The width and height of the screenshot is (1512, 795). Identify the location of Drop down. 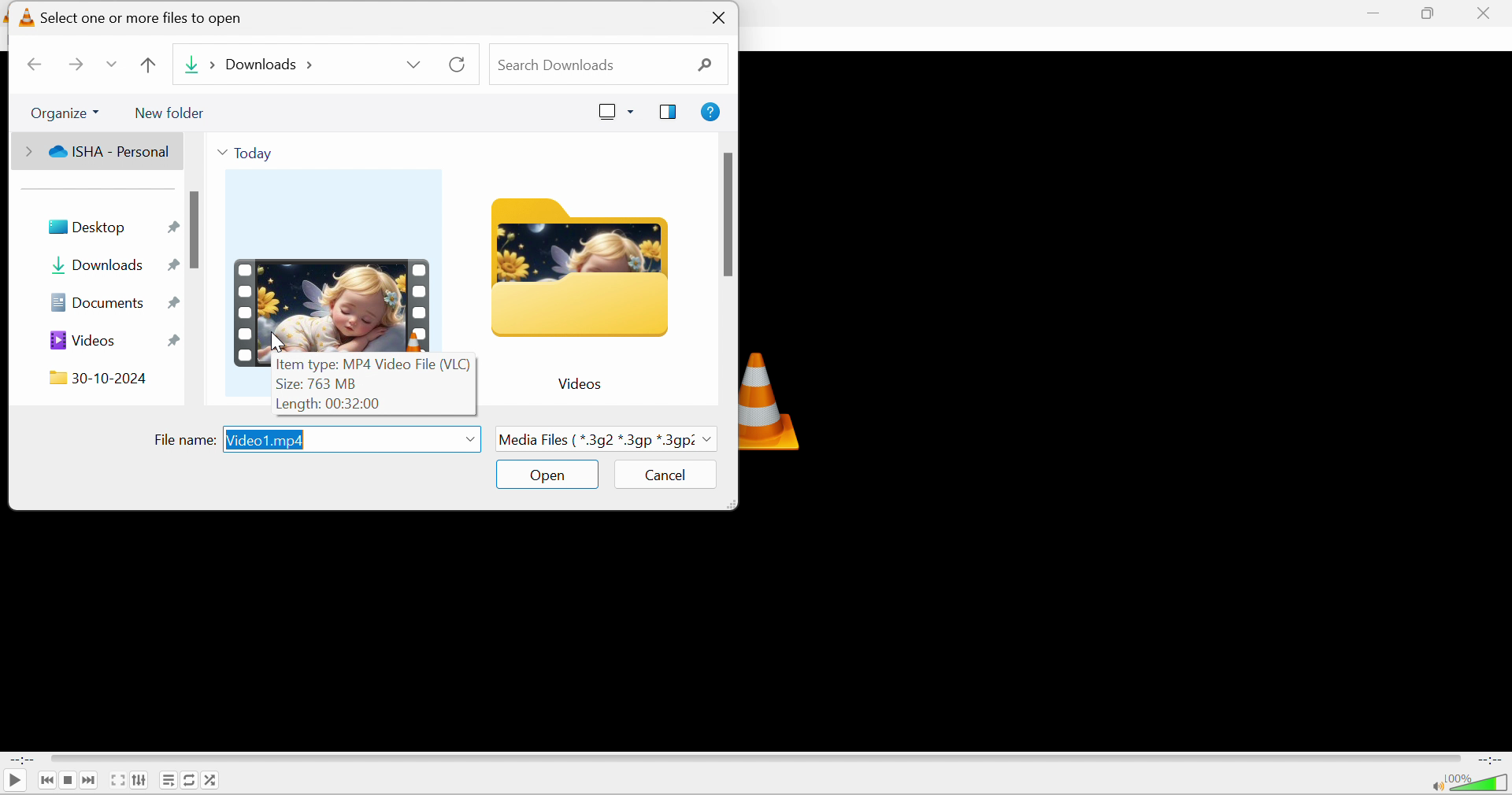
(110, 64).